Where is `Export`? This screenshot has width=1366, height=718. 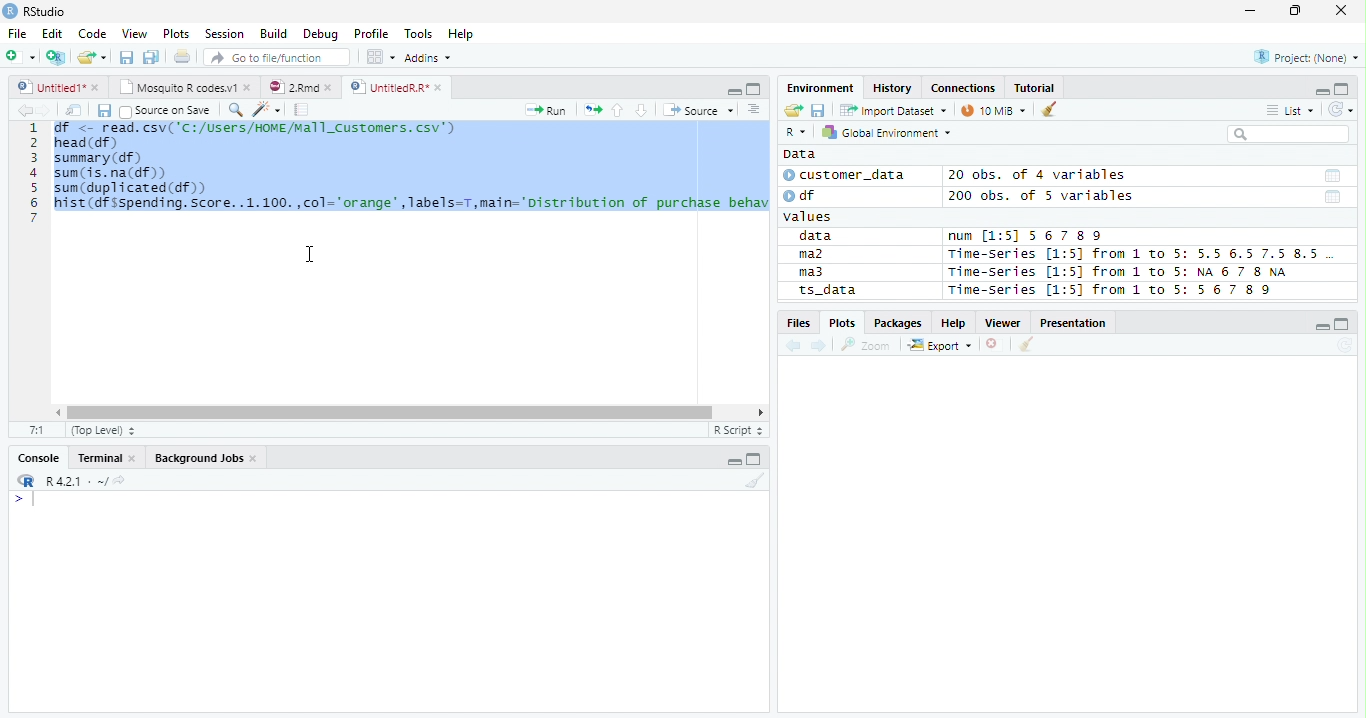
Export is located at coordinates (940, 346).